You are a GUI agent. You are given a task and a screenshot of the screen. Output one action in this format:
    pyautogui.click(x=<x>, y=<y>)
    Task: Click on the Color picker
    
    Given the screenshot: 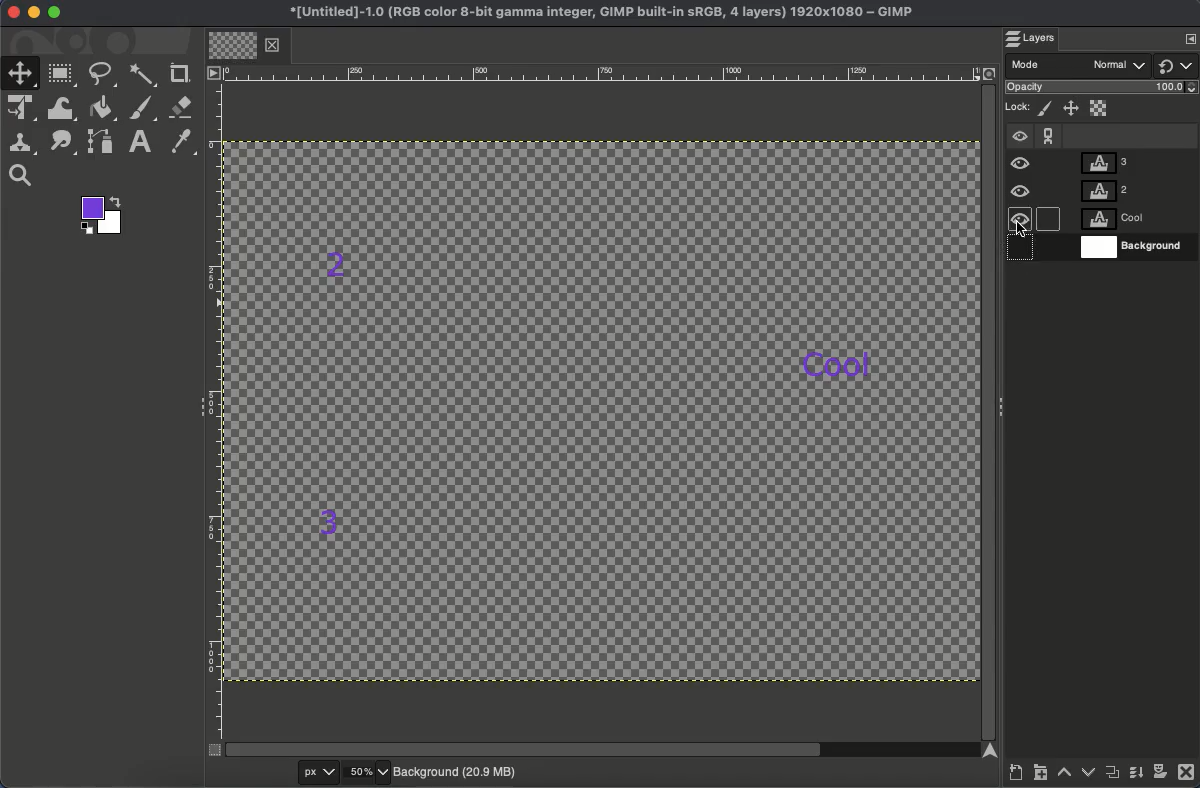 What is the action you would take?
    pyautogui.click(x=184, y=143)
    